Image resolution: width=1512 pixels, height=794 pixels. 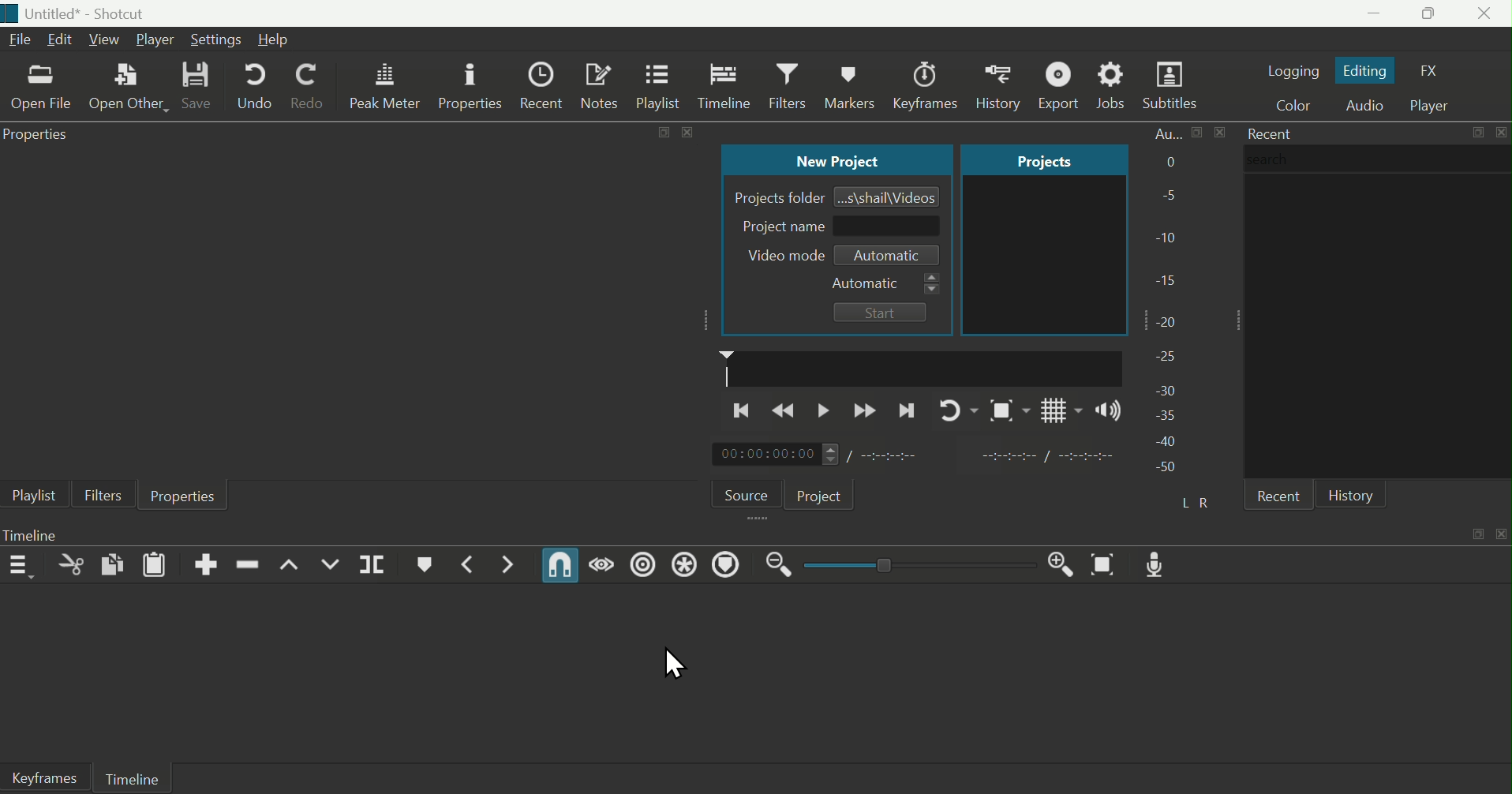 I want to click on 00:00:00:00, so click(x=775, y=455).